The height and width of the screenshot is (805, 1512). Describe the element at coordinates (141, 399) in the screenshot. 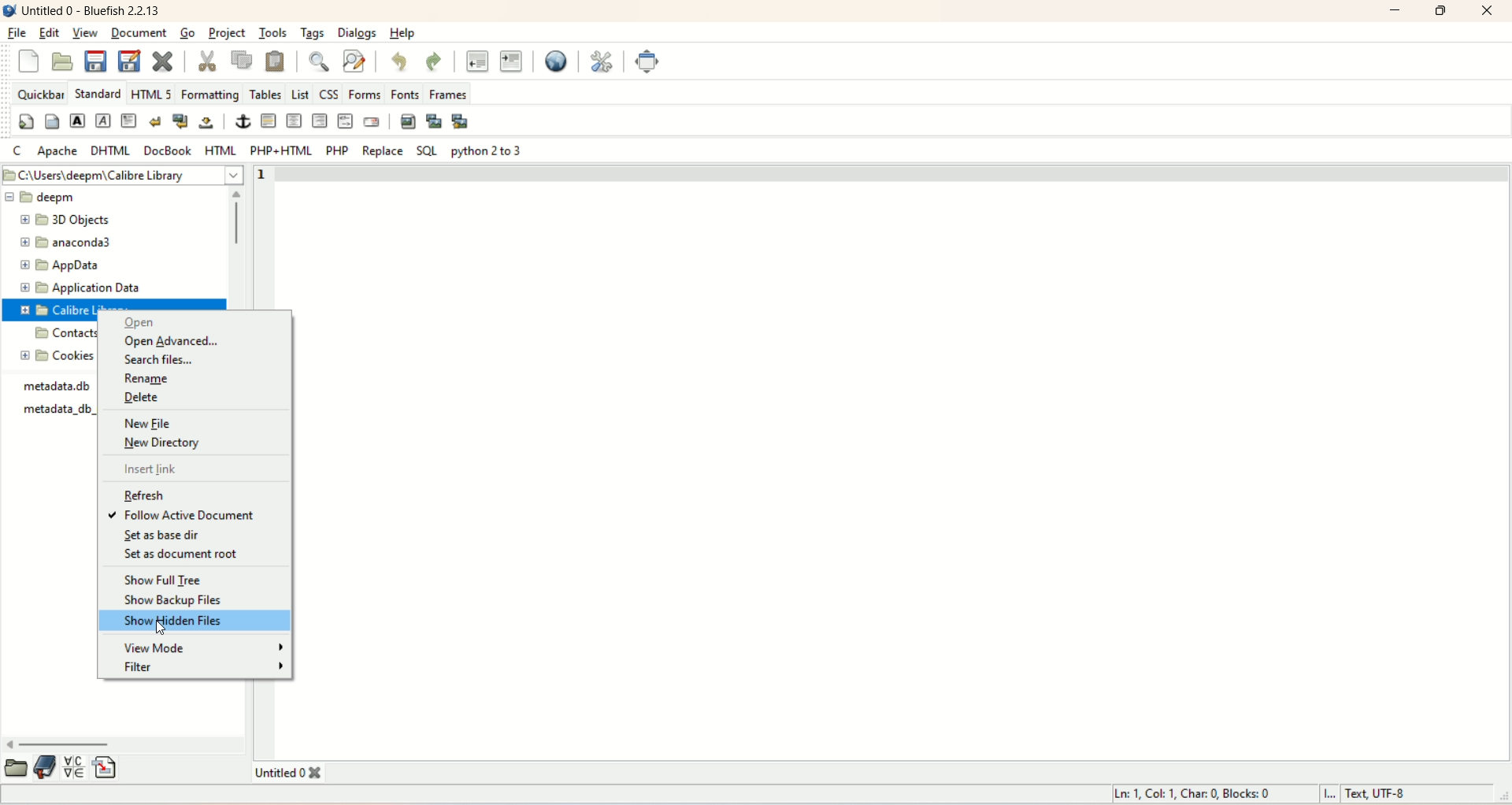

I see `delete` at that location.